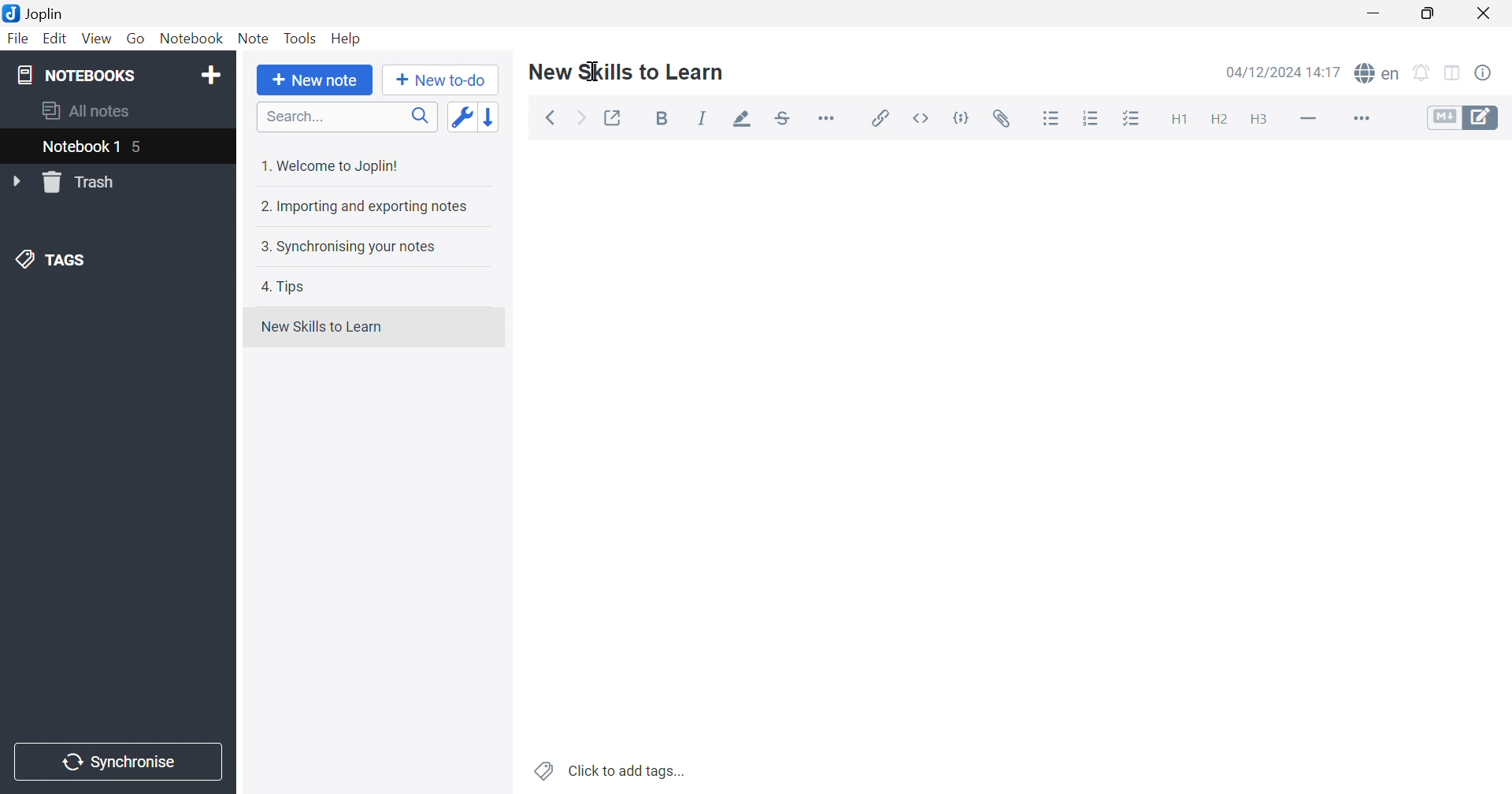 This screenshot has height=794, width=1512. I want to click on Bold, so click(666, 120).